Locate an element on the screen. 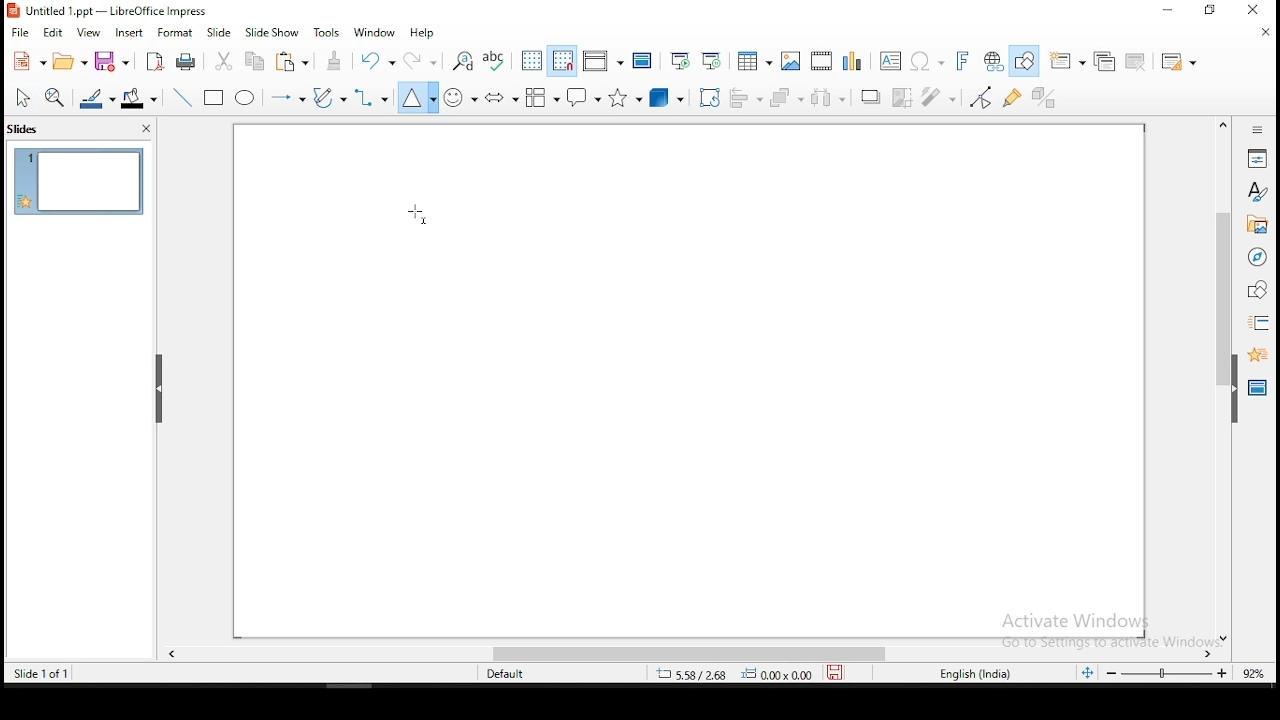  line is located at coordinates (185, 96).